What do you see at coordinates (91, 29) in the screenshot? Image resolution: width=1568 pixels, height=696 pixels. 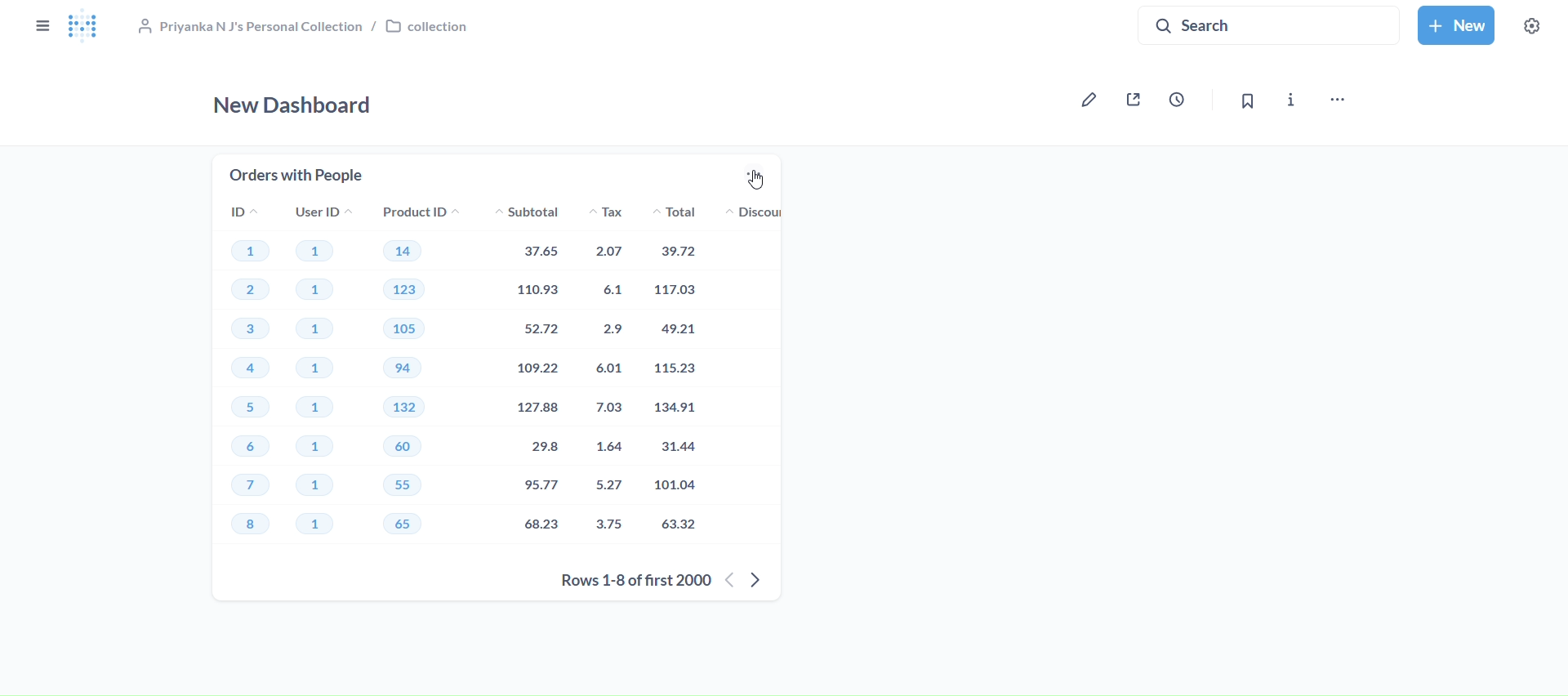 I see `logo` at bounding box center [91, 29].